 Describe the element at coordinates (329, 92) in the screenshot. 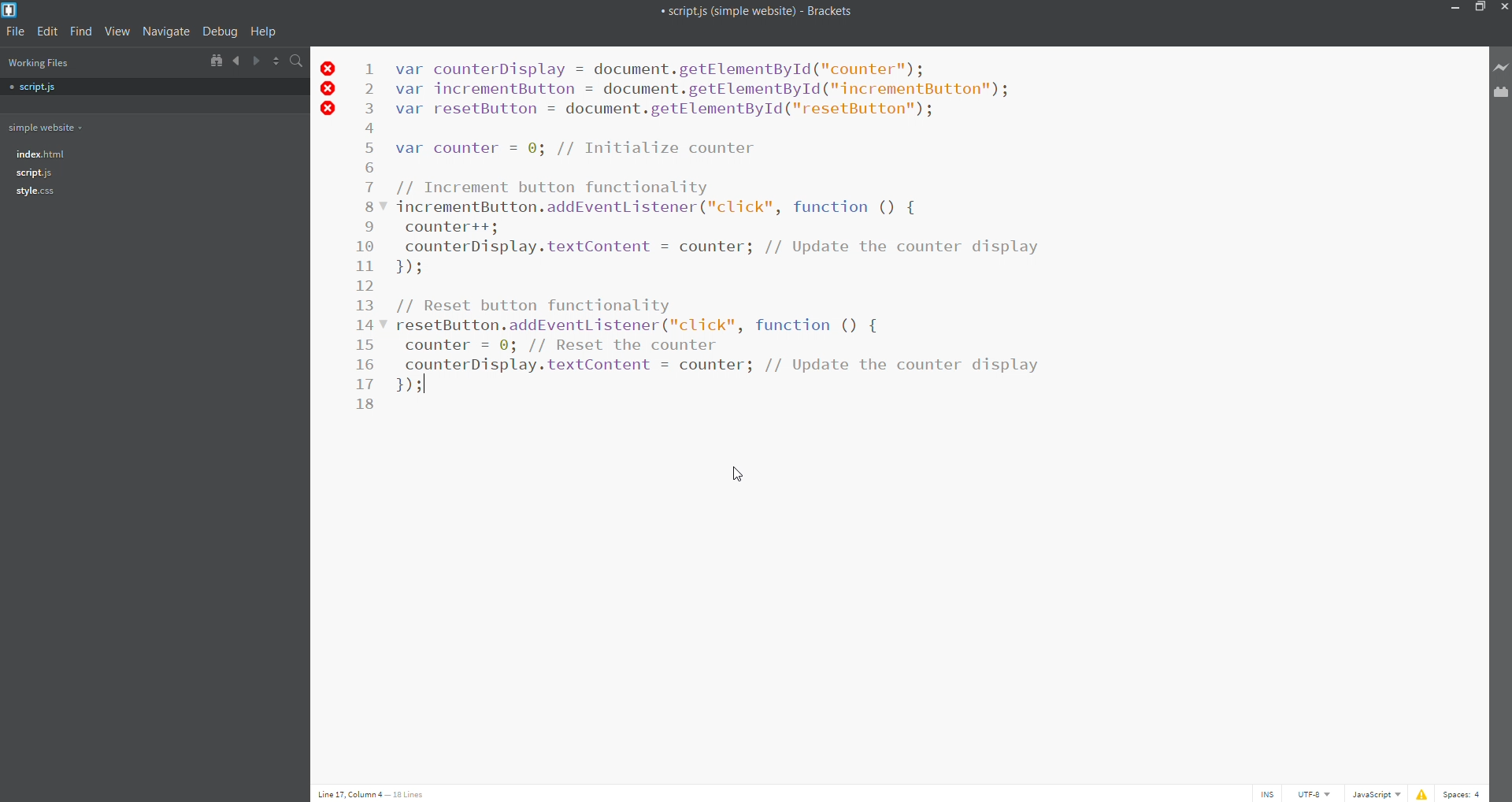

I see `in line error status` at that location.